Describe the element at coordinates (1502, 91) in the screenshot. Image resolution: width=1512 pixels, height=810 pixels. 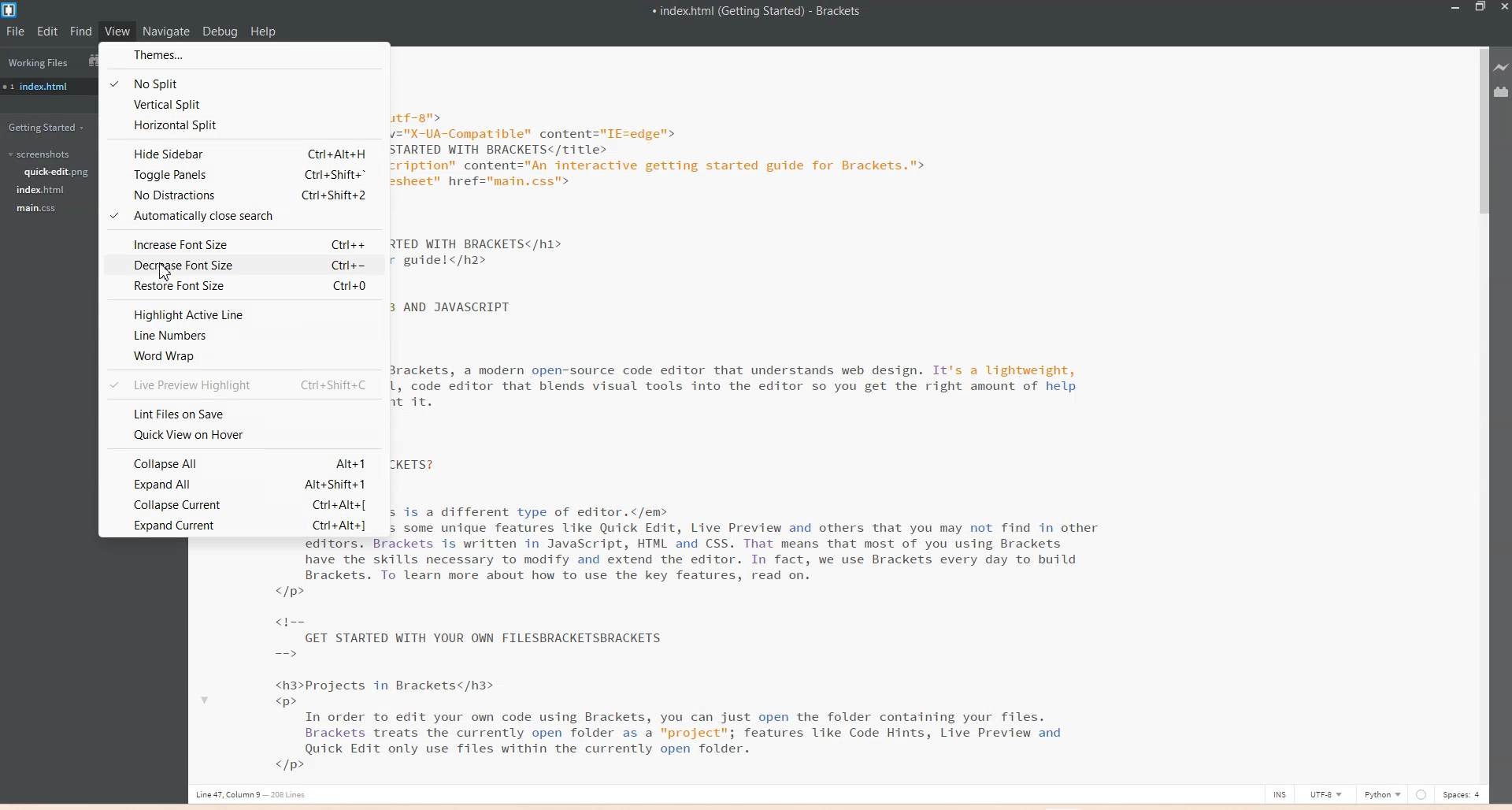
I see `Extensions Manager` at that location.